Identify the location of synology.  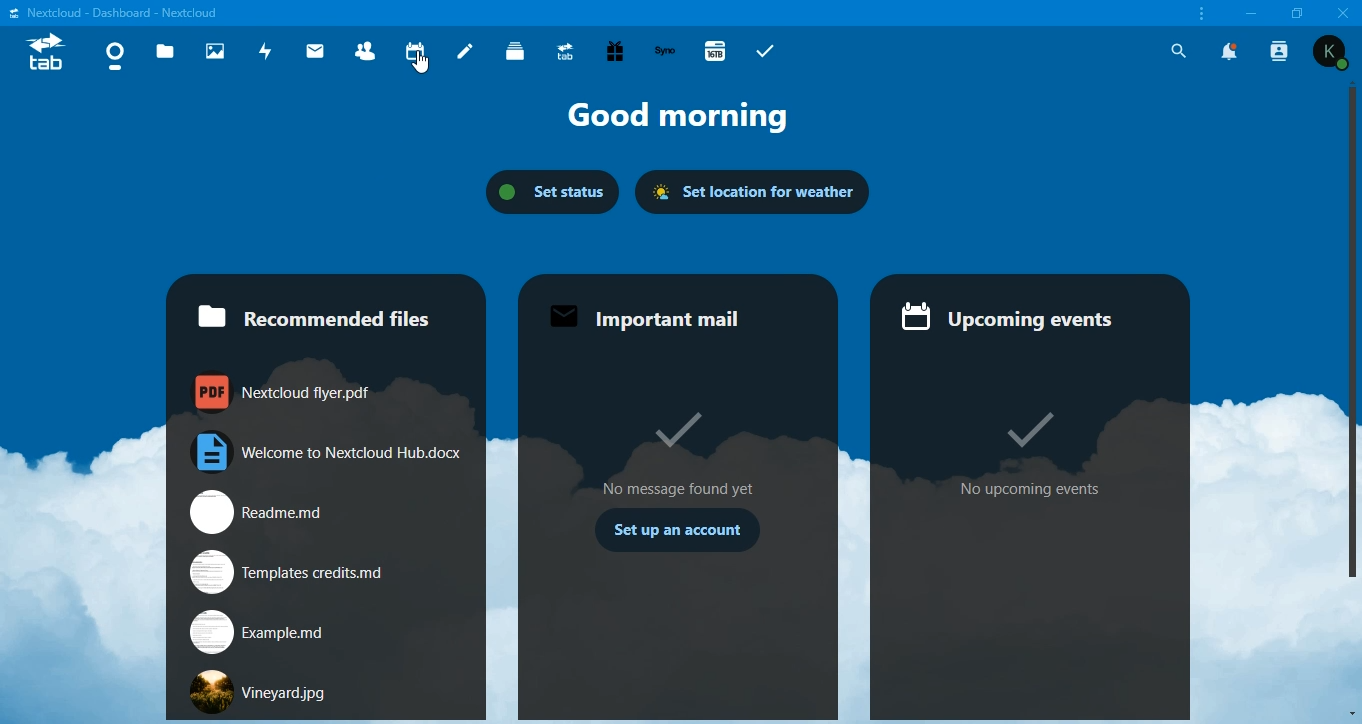
(667, 49).